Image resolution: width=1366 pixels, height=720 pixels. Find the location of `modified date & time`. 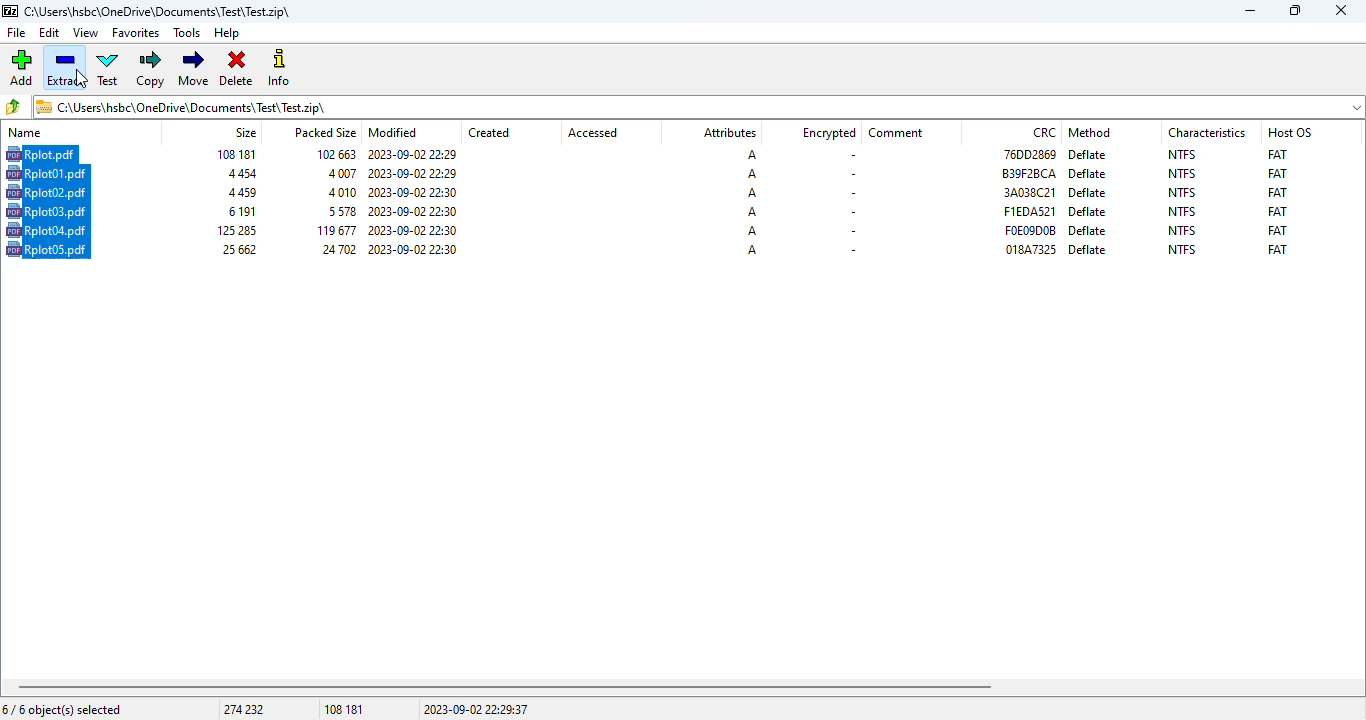

modified date & time is located at coordinates (414, 211).